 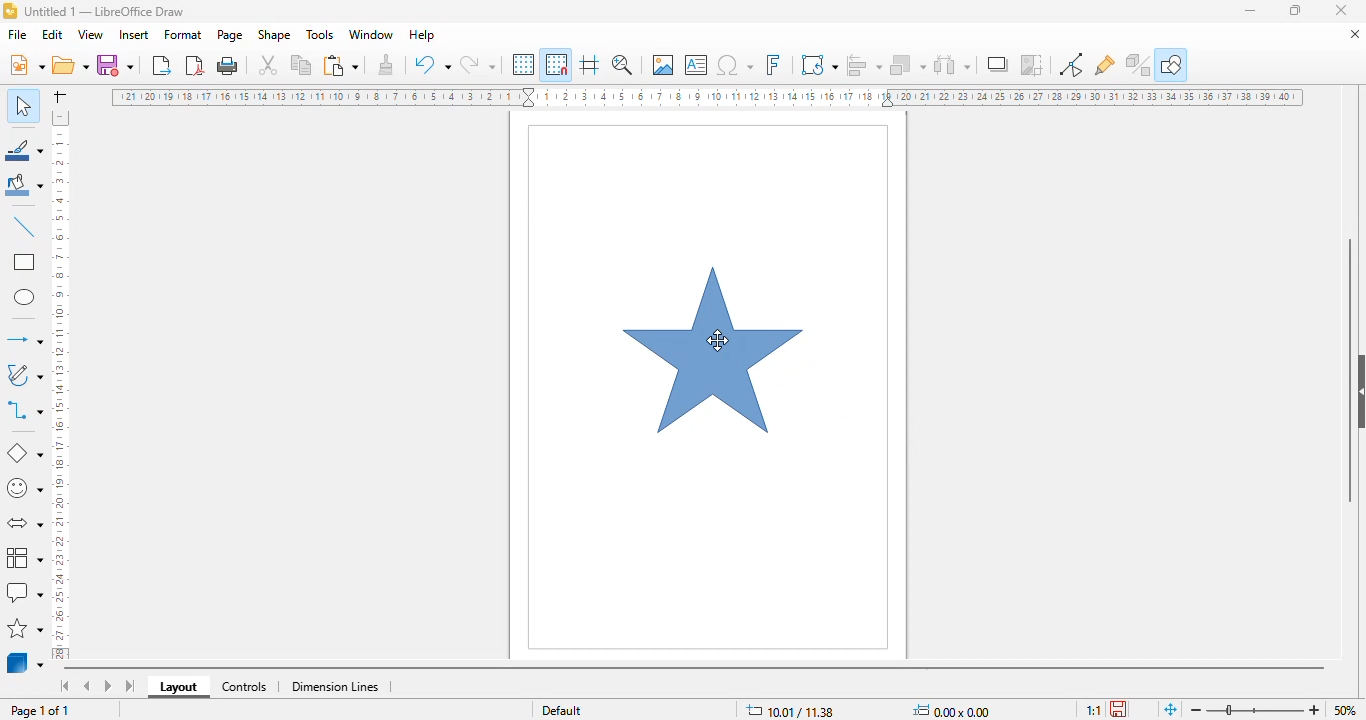 I want to click on select at least three objects to distribute, so click(x=952, y=64).